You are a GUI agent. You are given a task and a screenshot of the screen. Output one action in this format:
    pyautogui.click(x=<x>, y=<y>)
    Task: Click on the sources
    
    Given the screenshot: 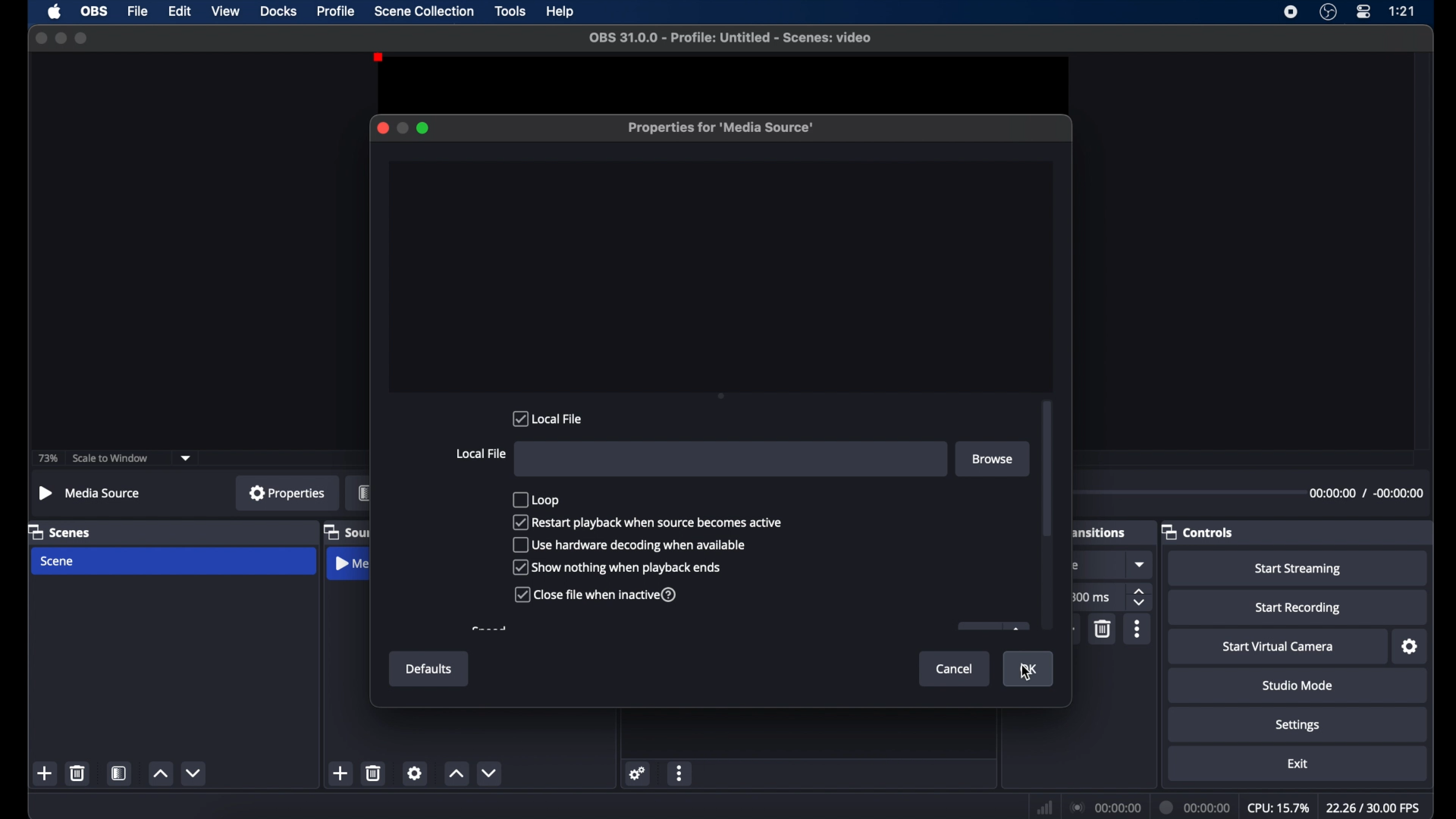 What is the action you would take?
    pyautogui.click(x=347, y=532)
    